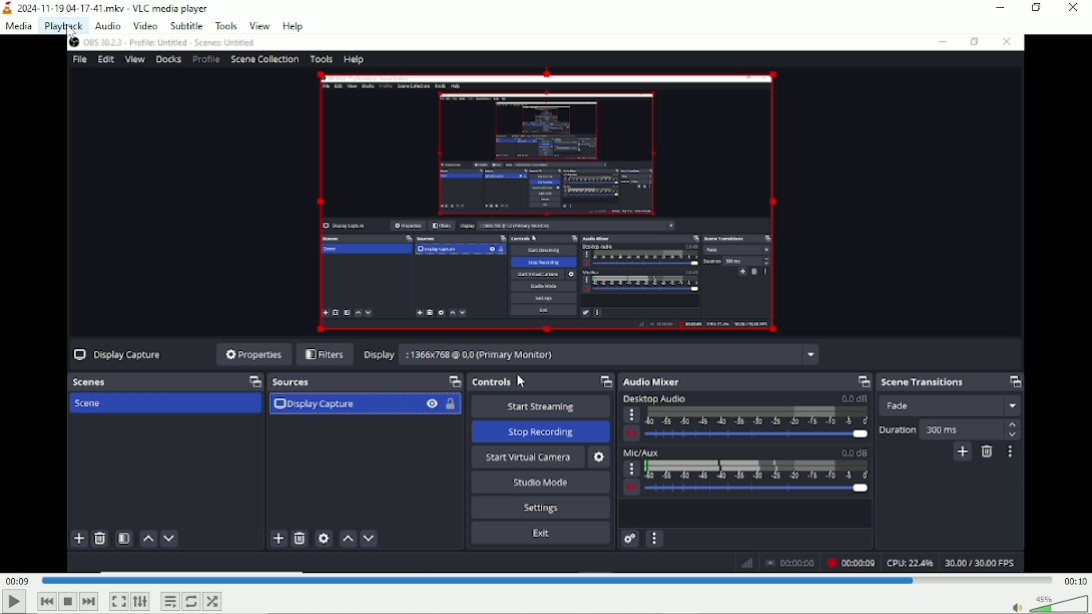 This screenshot has height=614, width=1092. I want to click on view, so click(260, 25).